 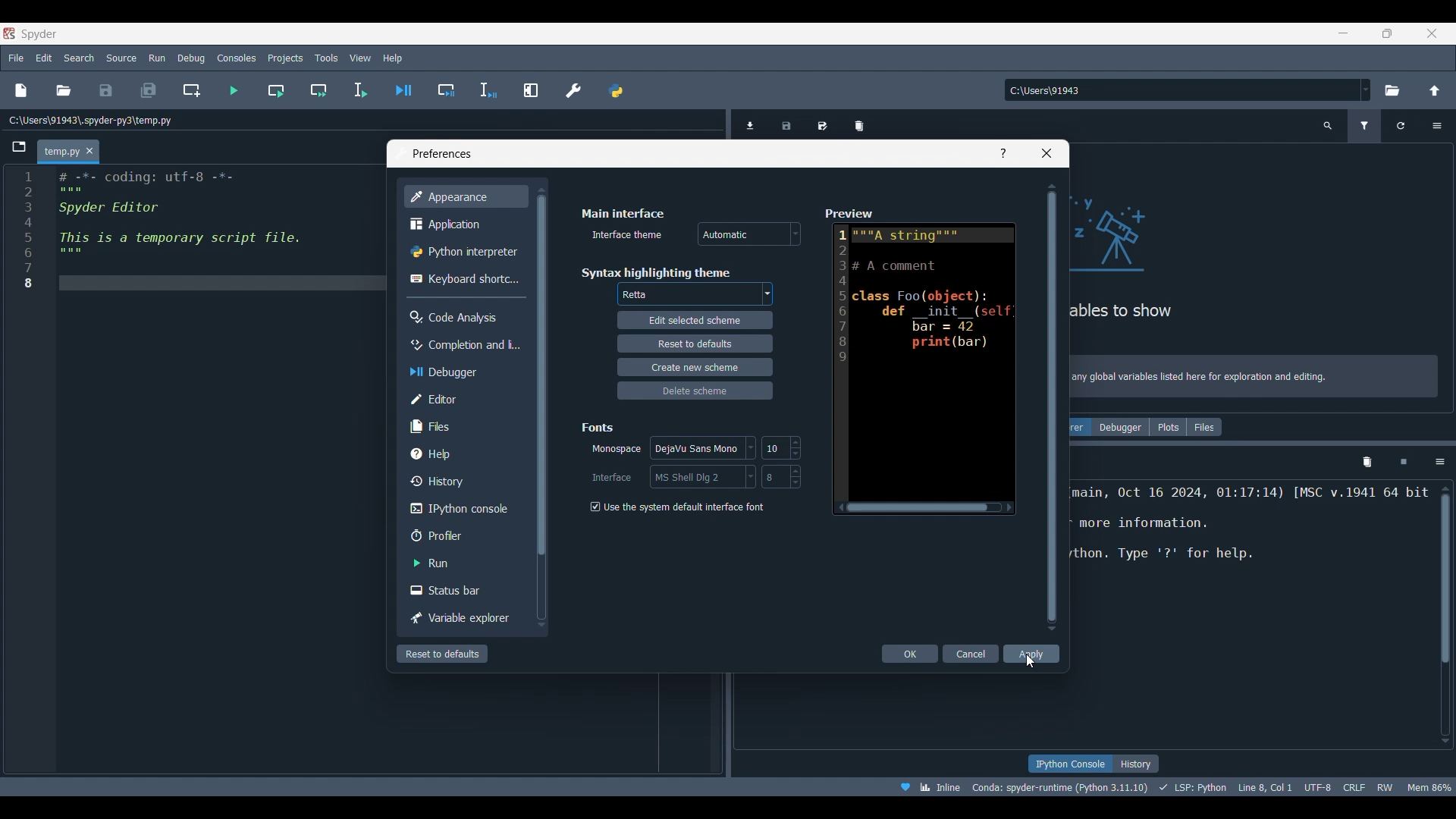 What do you see at coordinates (637, 295) in the screenshot?
I see `Selected theme: retta` at bounding box center [637, 295].